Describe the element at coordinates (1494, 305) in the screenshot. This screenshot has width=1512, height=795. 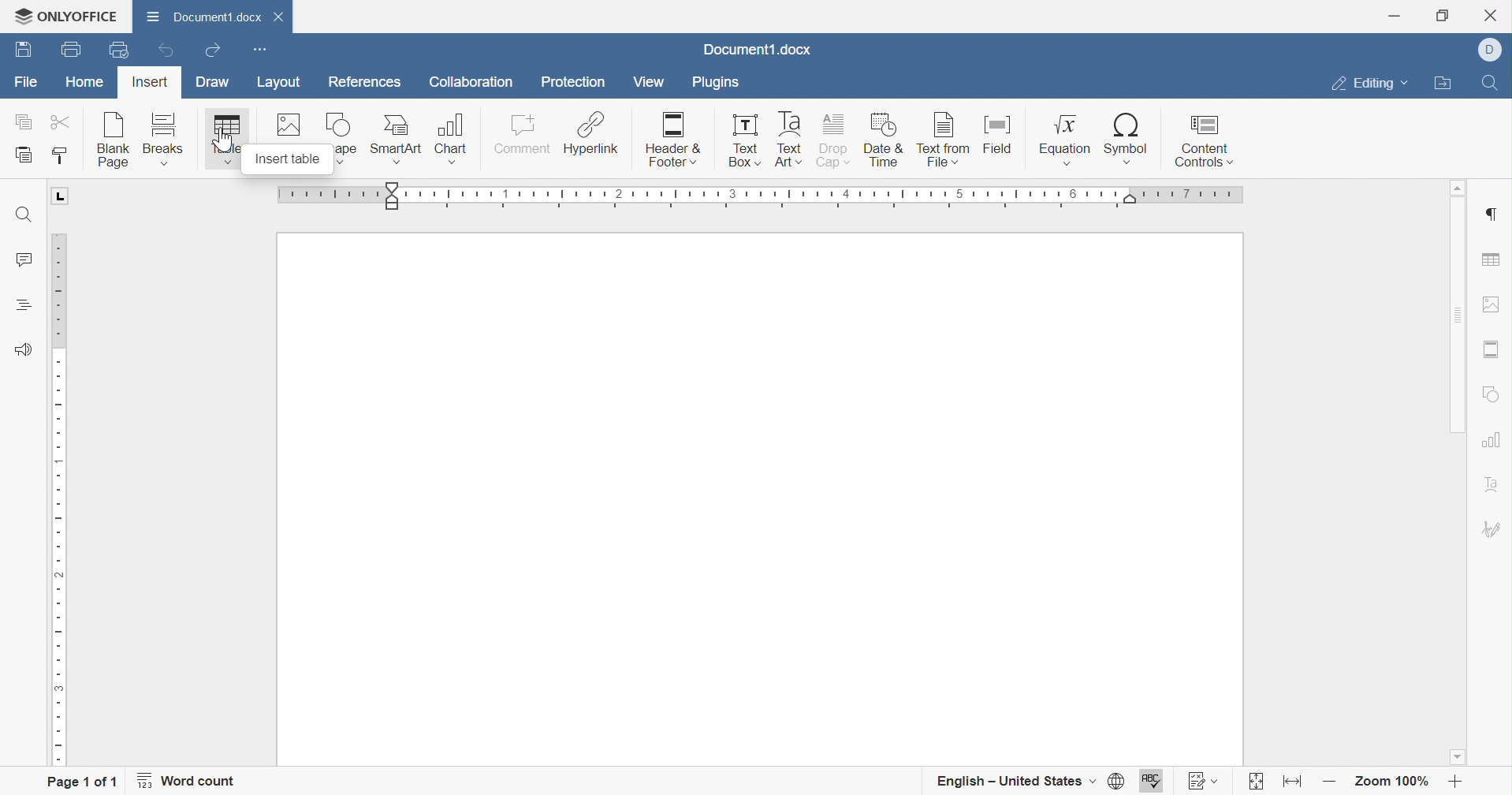
I see `Image settings` at that location.